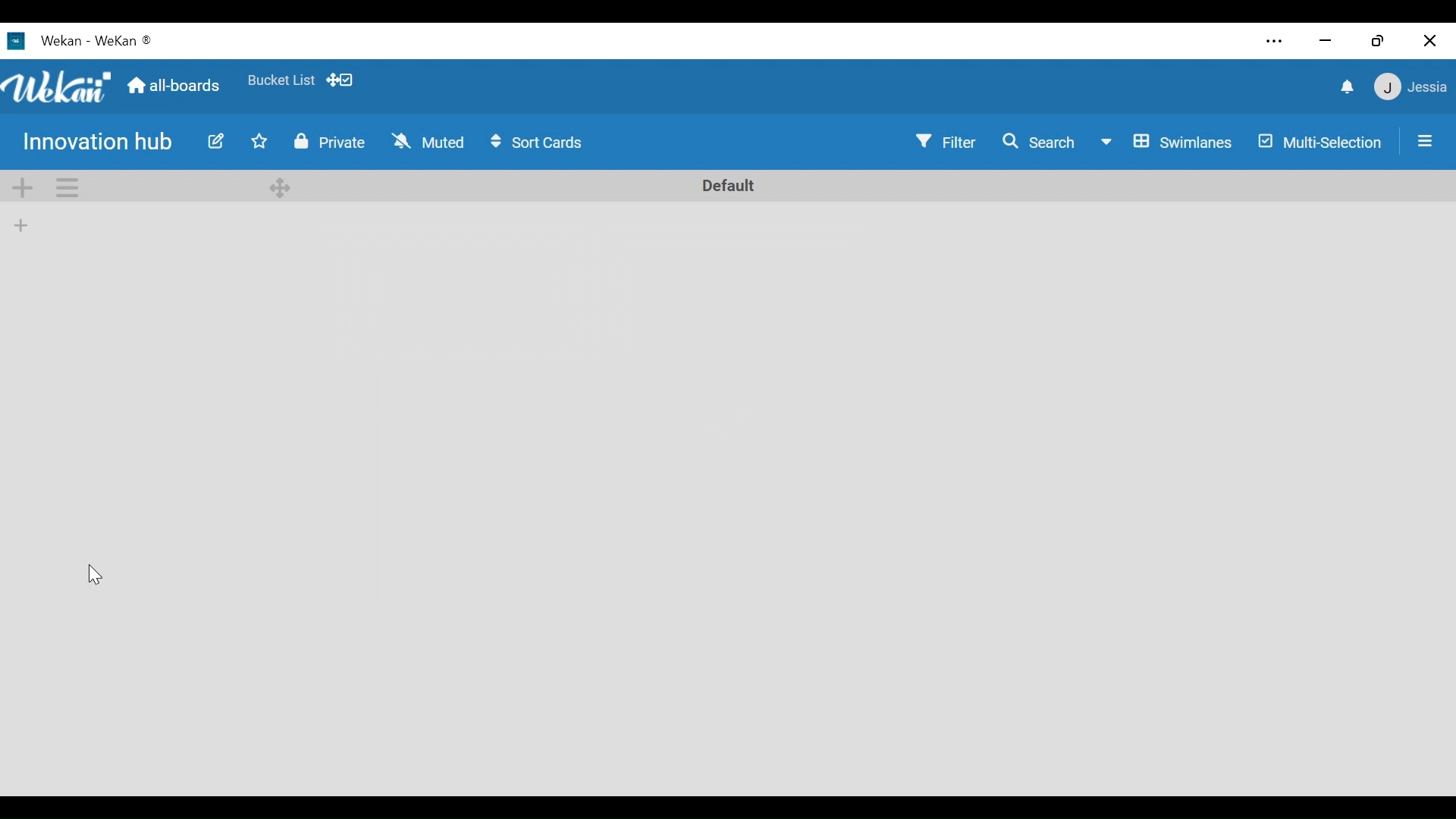  Describe the element at coordinates (730, 185) in the screenshot. I see `Swimlane name` at that location.